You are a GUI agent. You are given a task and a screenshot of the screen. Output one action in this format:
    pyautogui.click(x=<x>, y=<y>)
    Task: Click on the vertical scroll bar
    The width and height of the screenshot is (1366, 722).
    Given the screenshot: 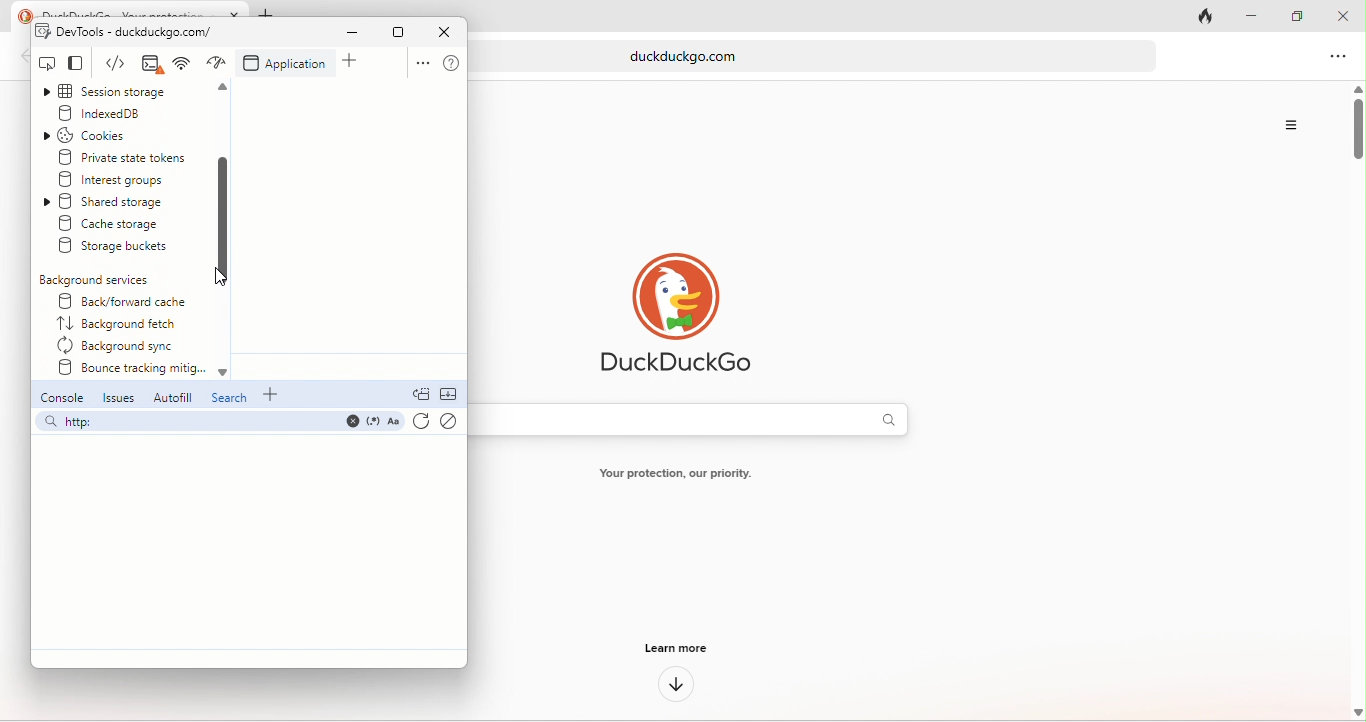 What is the action you would take?
    pyautogui.click(x=1356, y=133)
    